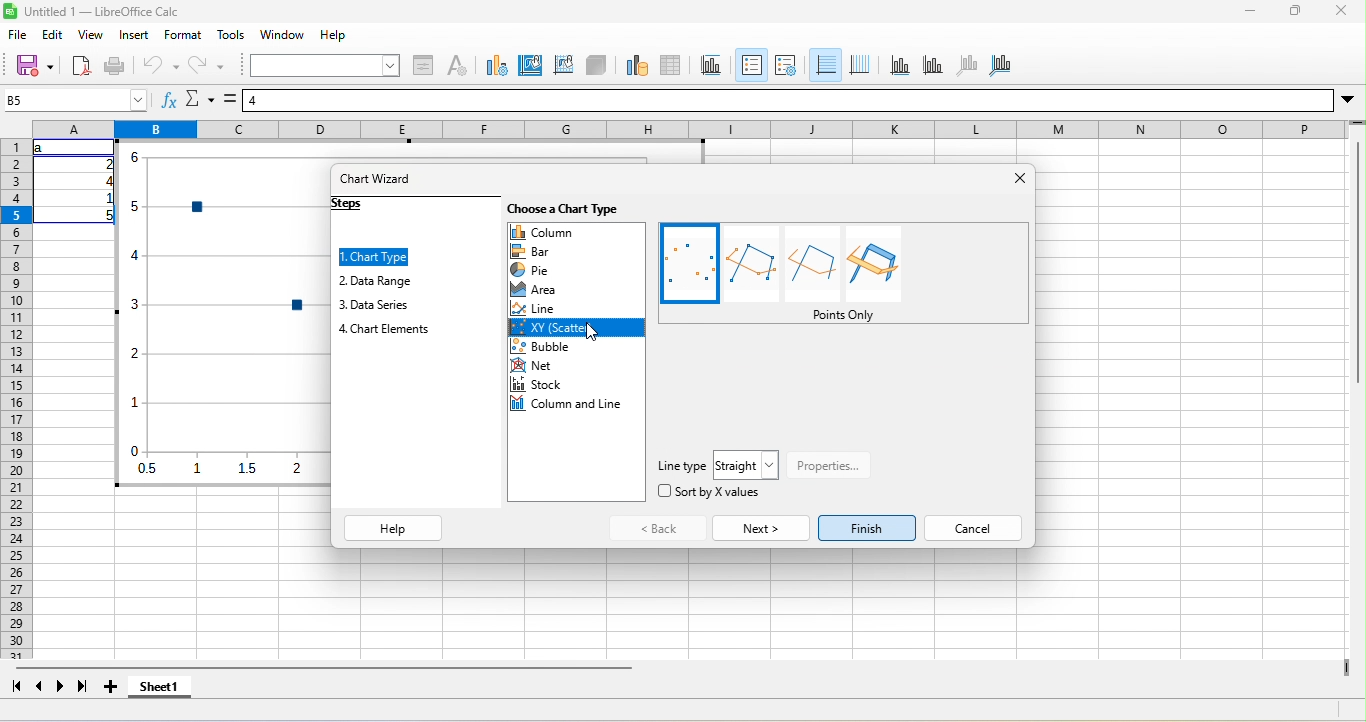 The height and width of the screenshot is (722, 1366). I want to click on legend, so click(786, 67).